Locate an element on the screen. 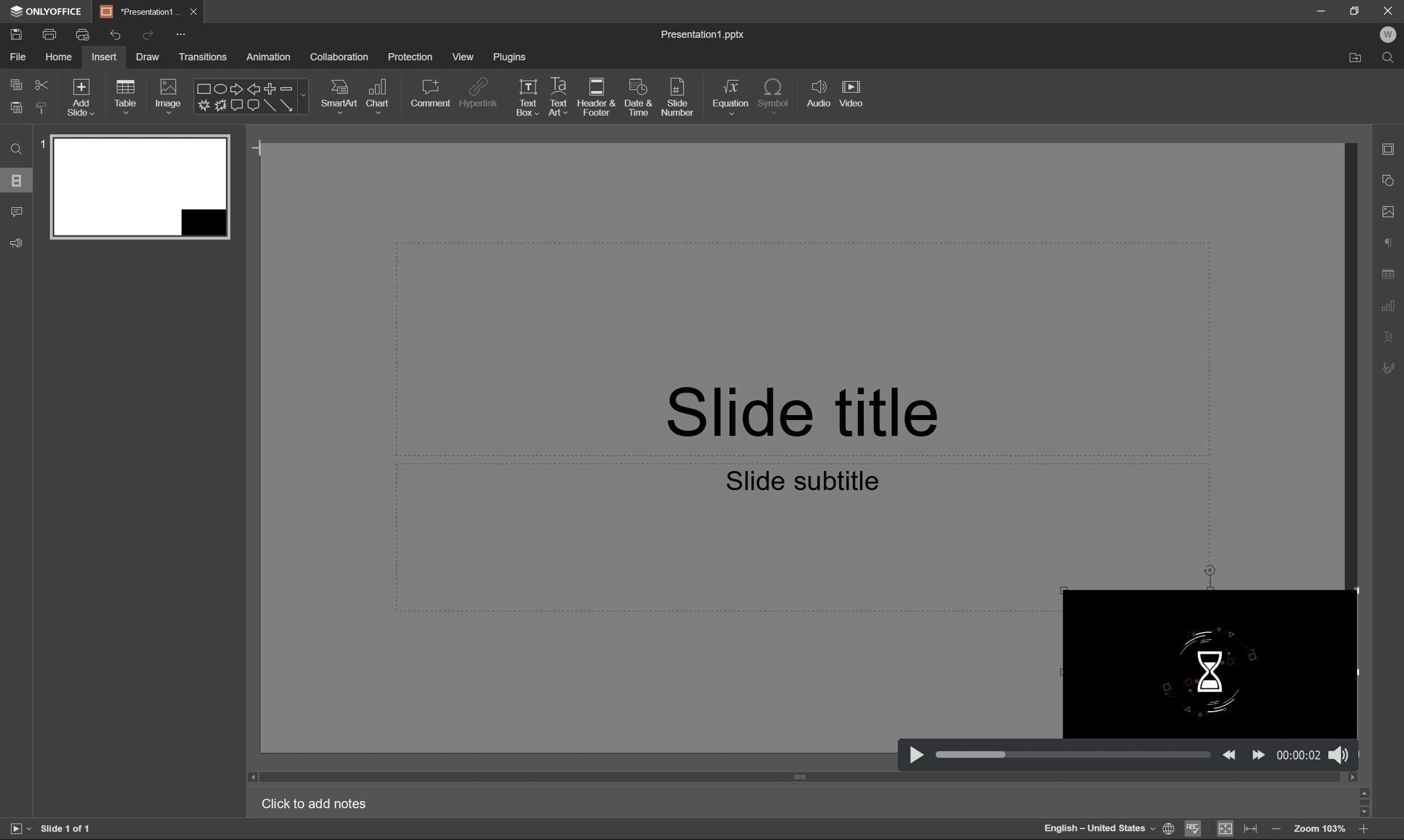 Image resolution: width=1404 pixels, height=840 pixels. 1 is located at coordinates (43, 143).